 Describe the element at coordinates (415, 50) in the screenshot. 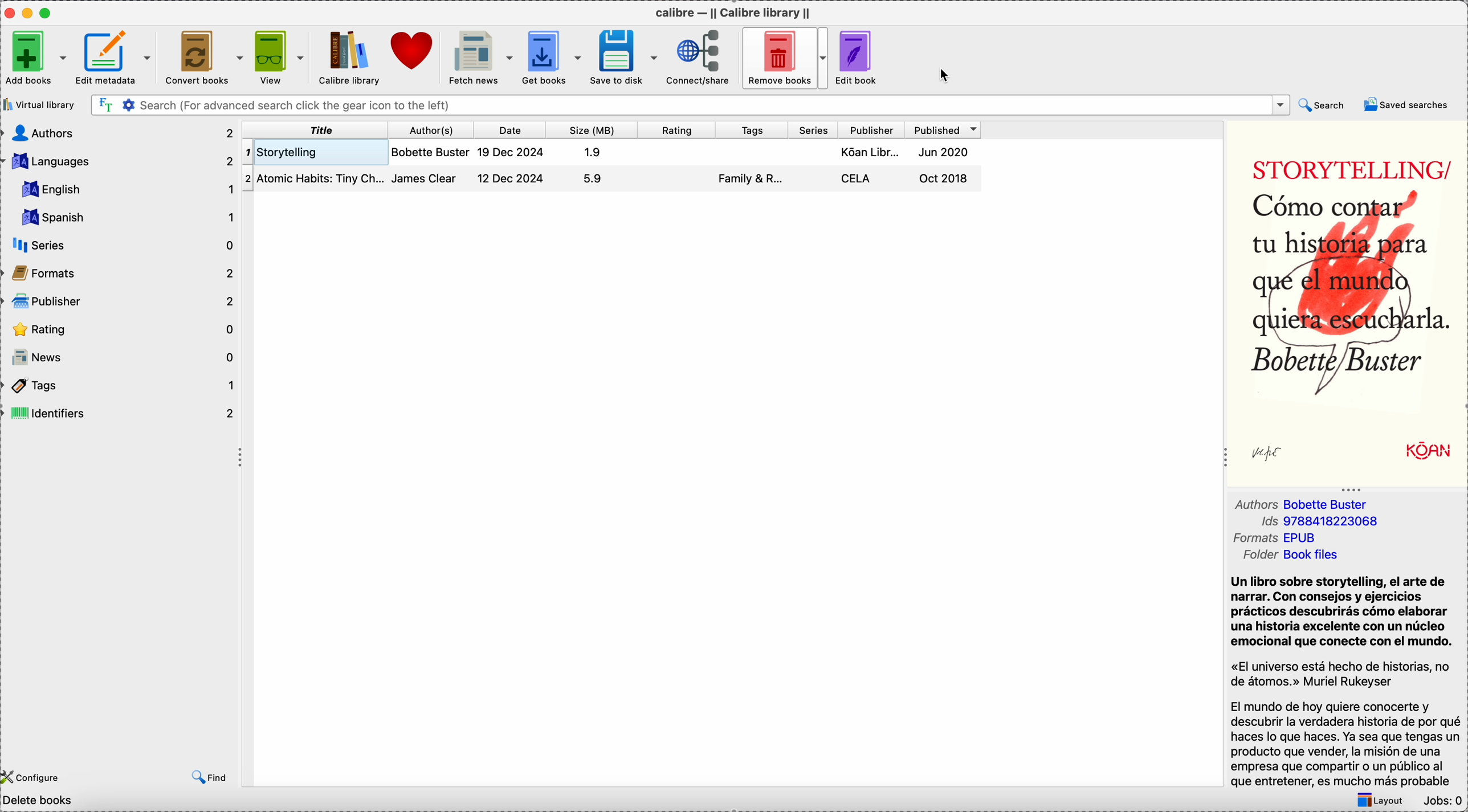

I see `donate` at that location.